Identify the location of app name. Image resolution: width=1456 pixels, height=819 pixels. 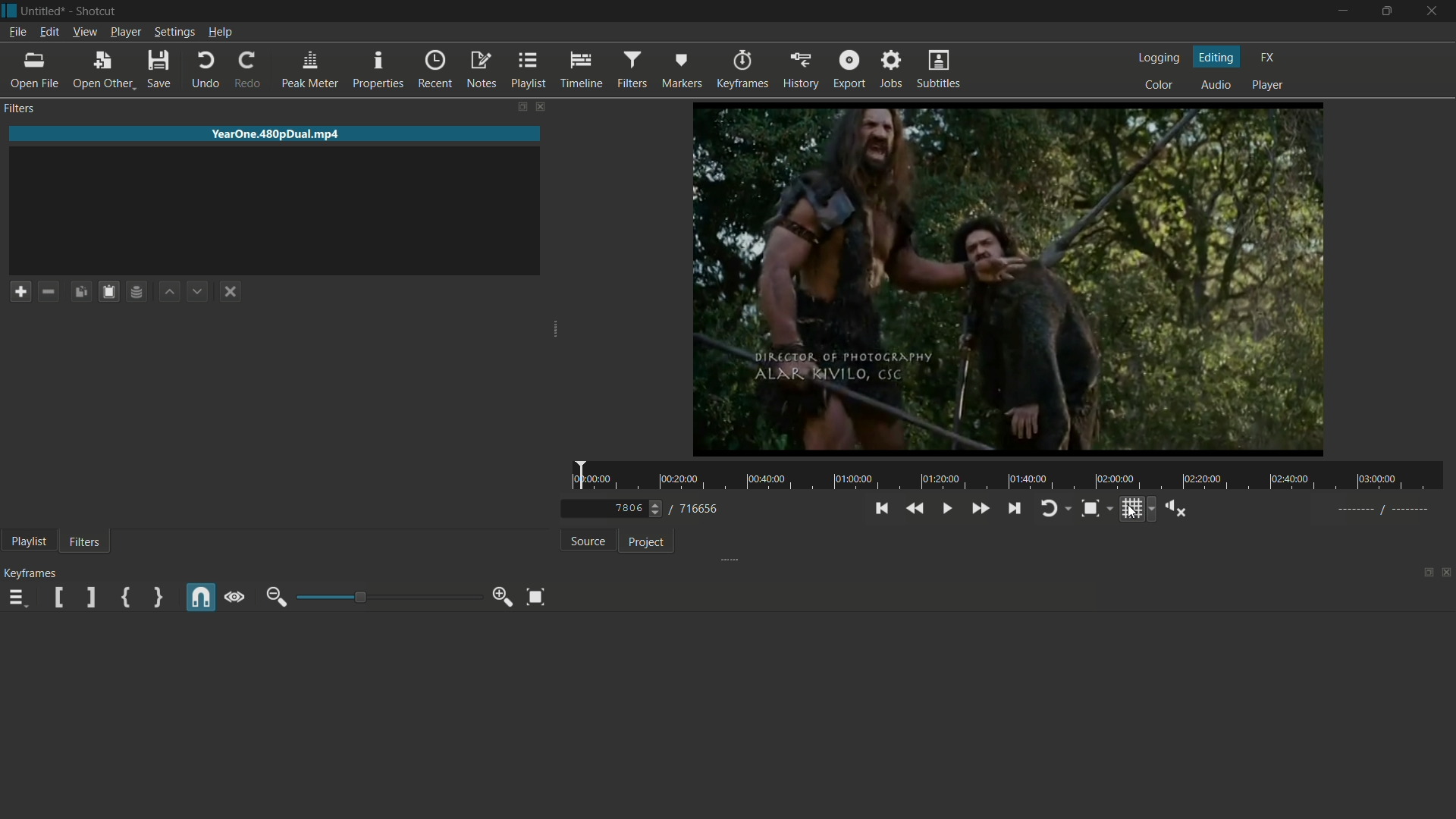
(99, 11).